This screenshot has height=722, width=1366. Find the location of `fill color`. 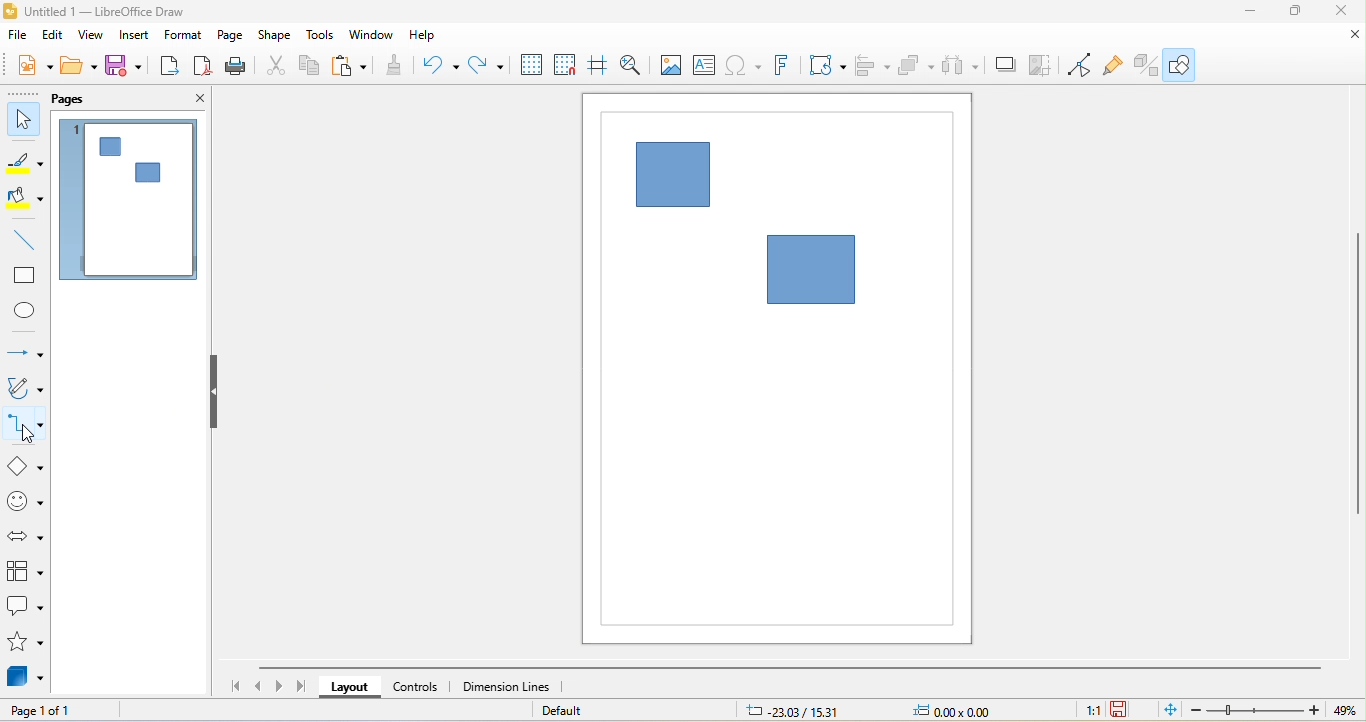

fill color is located at coordinates (25, 198).